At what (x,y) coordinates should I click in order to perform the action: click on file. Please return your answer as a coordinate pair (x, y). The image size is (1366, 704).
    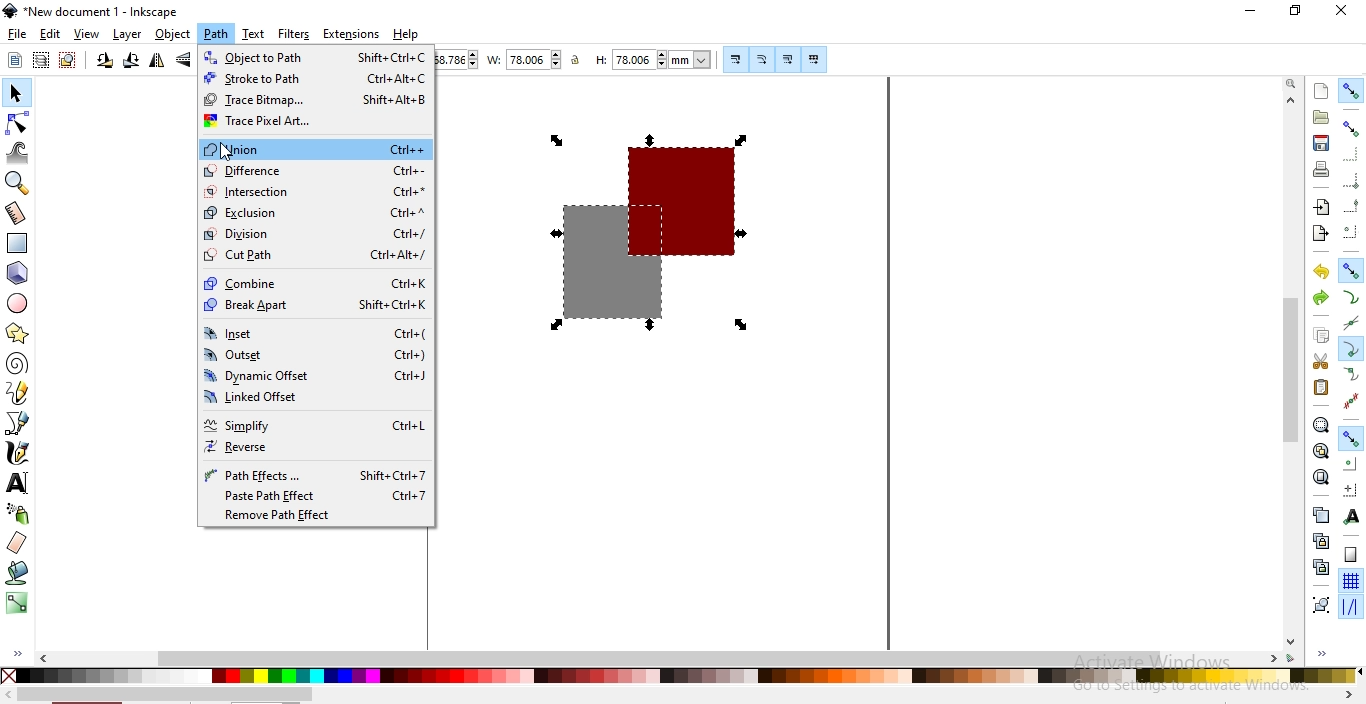
    Looking at the image, I should click on (18, 35).